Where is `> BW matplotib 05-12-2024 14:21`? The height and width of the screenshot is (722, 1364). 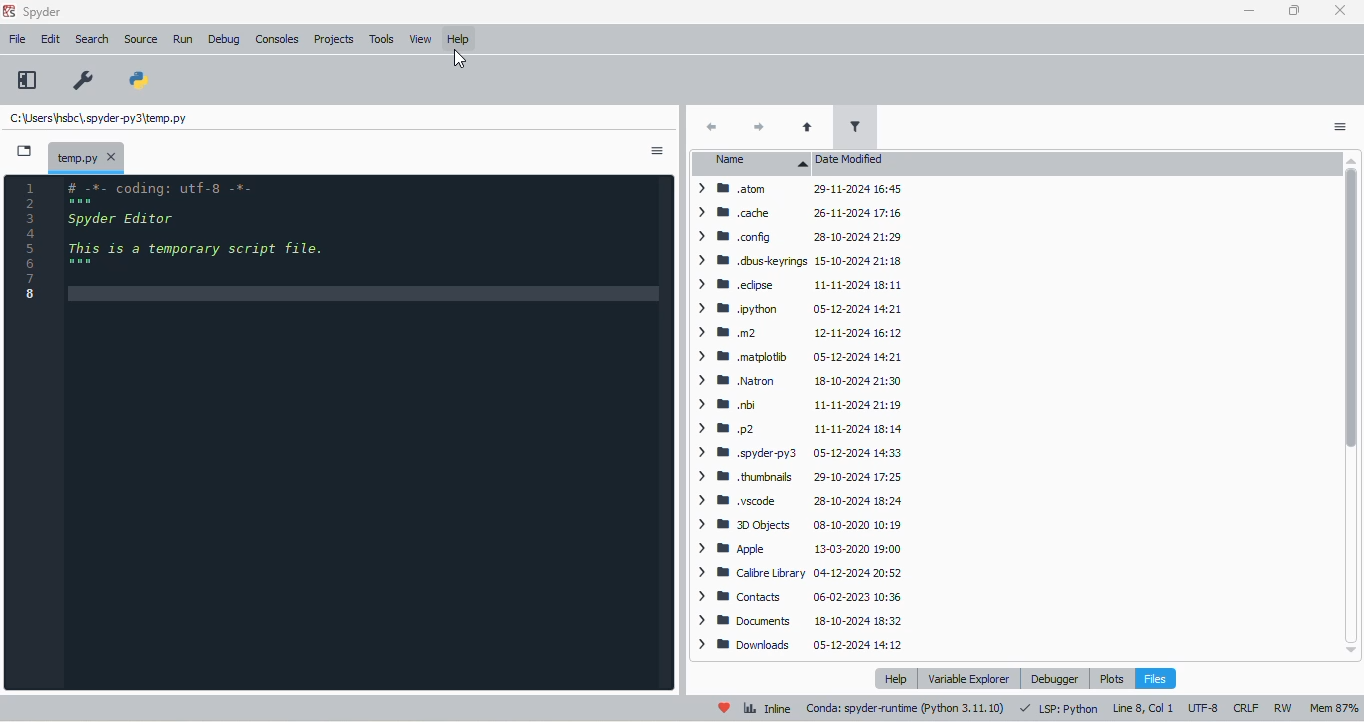 > BW matplotib 05-12-2024 14:21 is located at coordinates (796, 356).